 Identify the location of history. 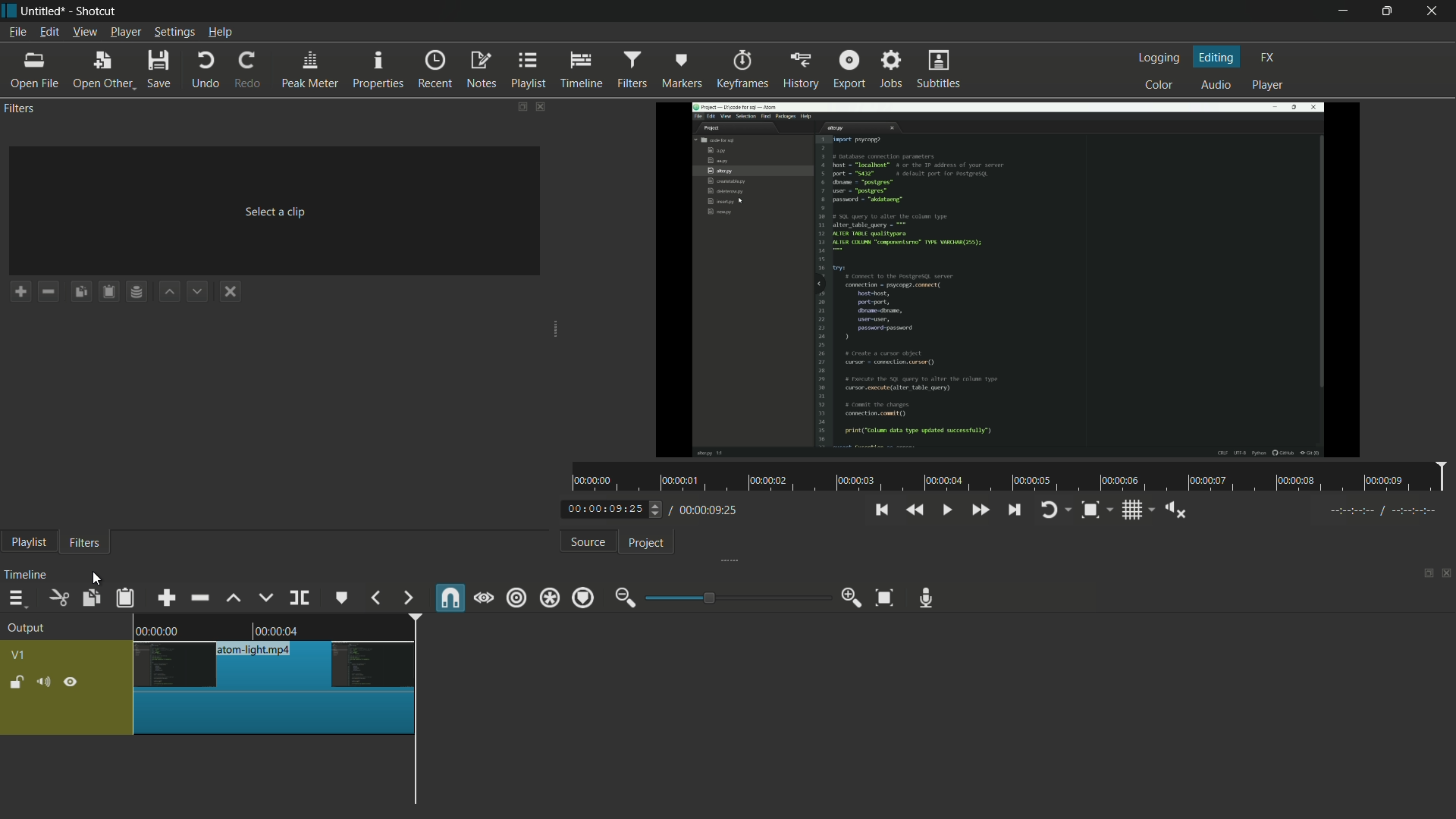
(799, 71).